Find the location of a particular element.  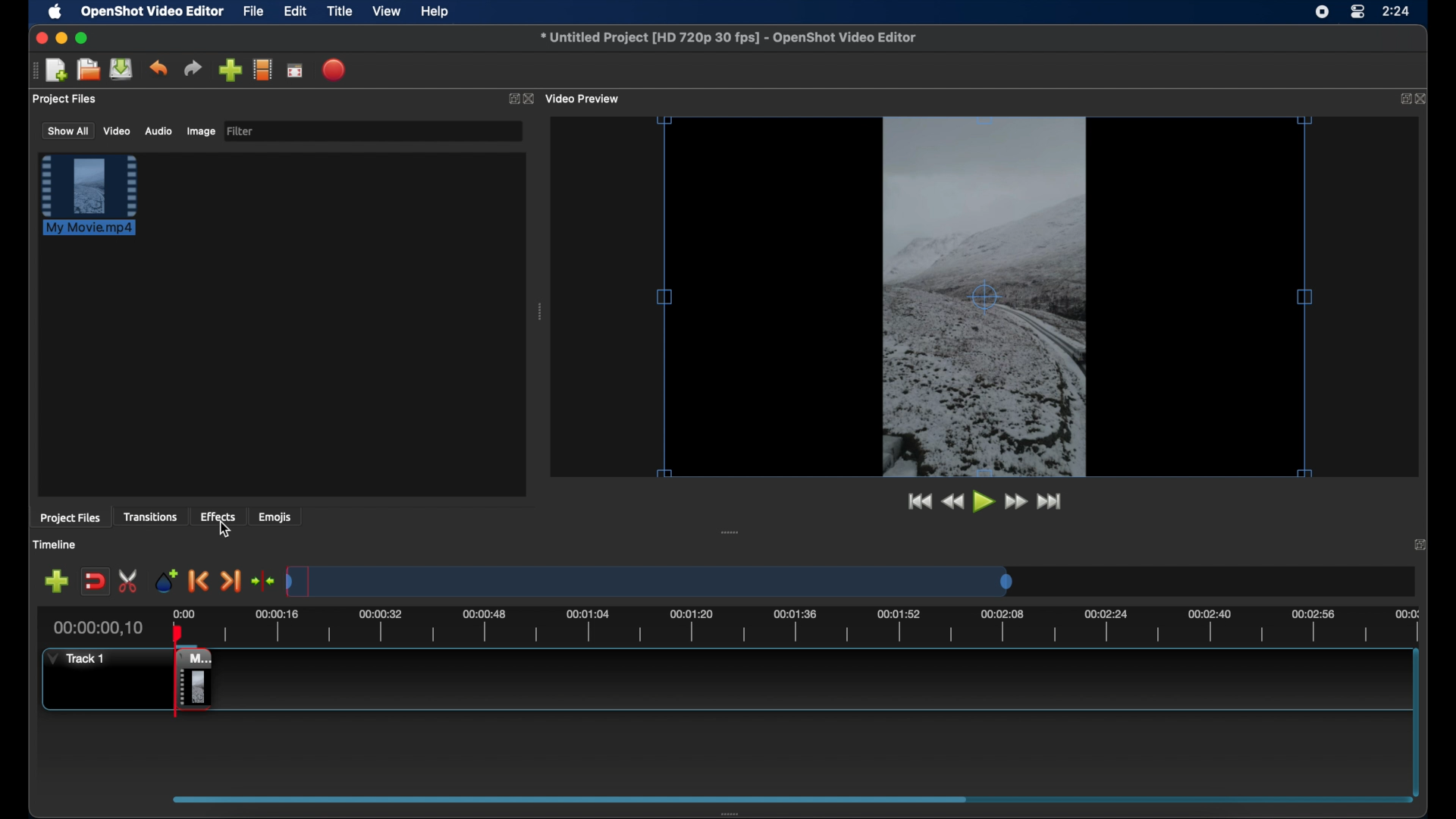

drag handle is located at coordinates (33, 71).